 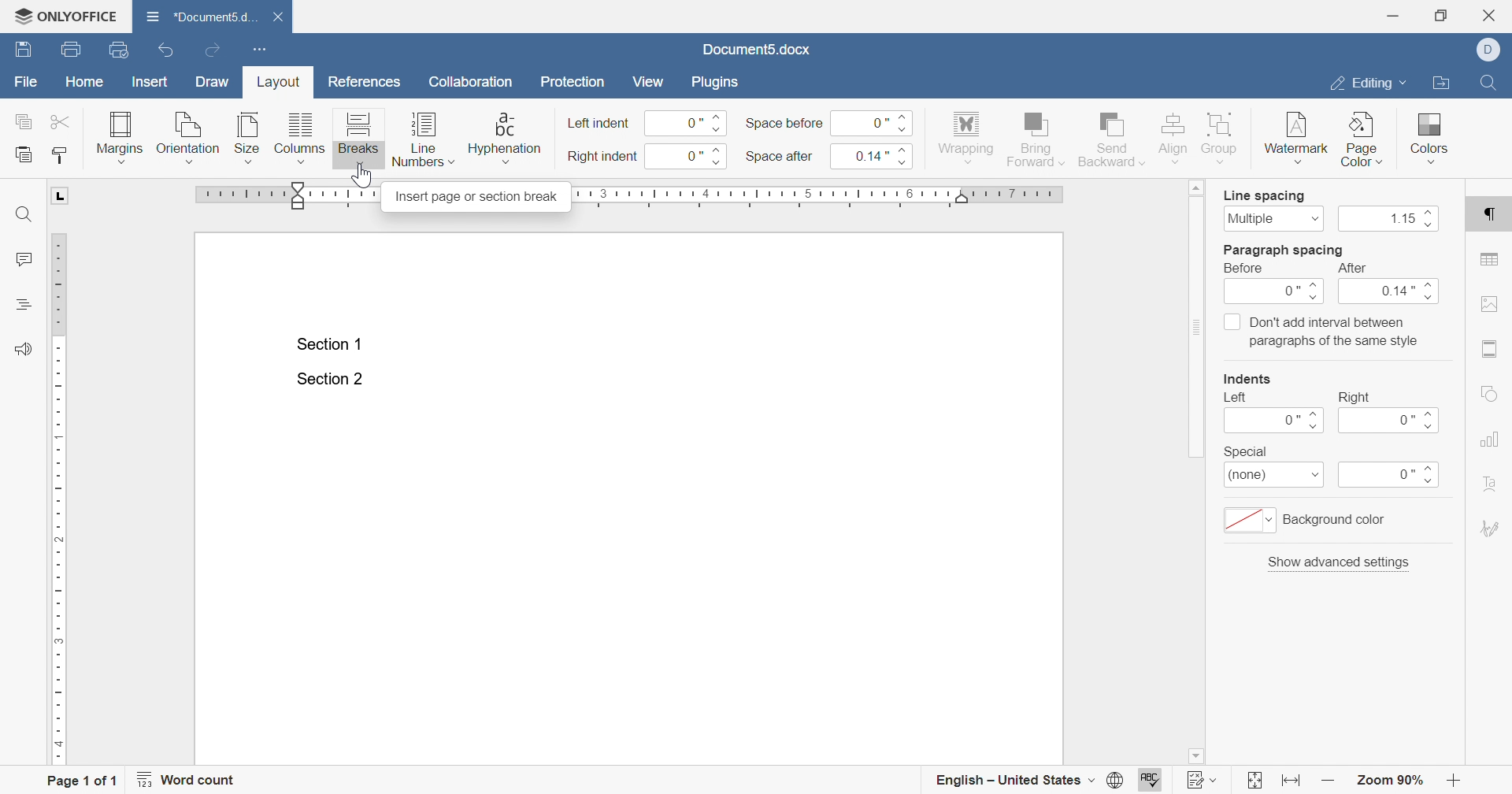 I want to click on space before, so click(x=784, y=124).